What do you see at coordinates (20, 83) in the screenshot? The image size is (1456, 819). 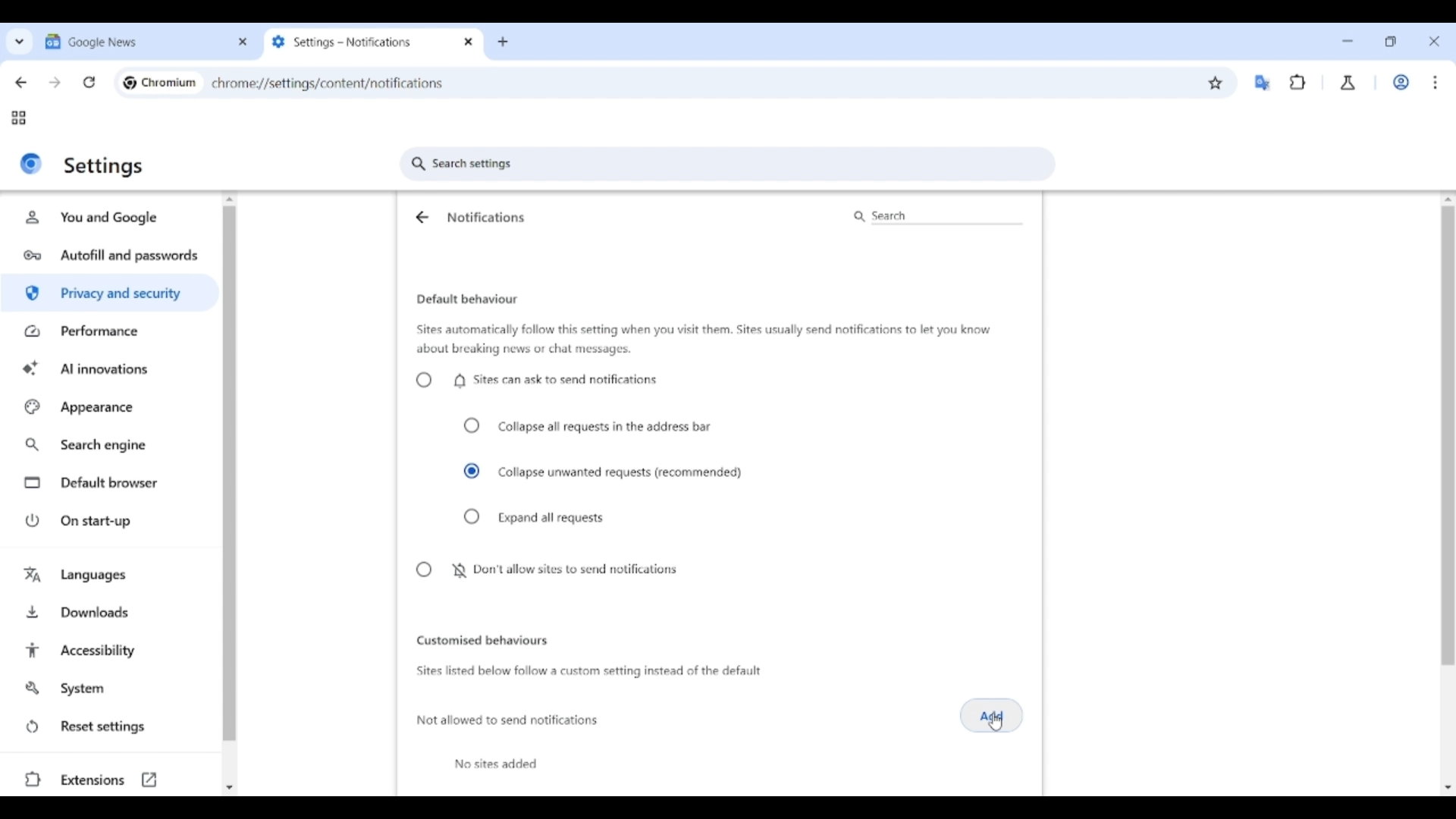 I see `Go back` at bounding box center [20, 83].